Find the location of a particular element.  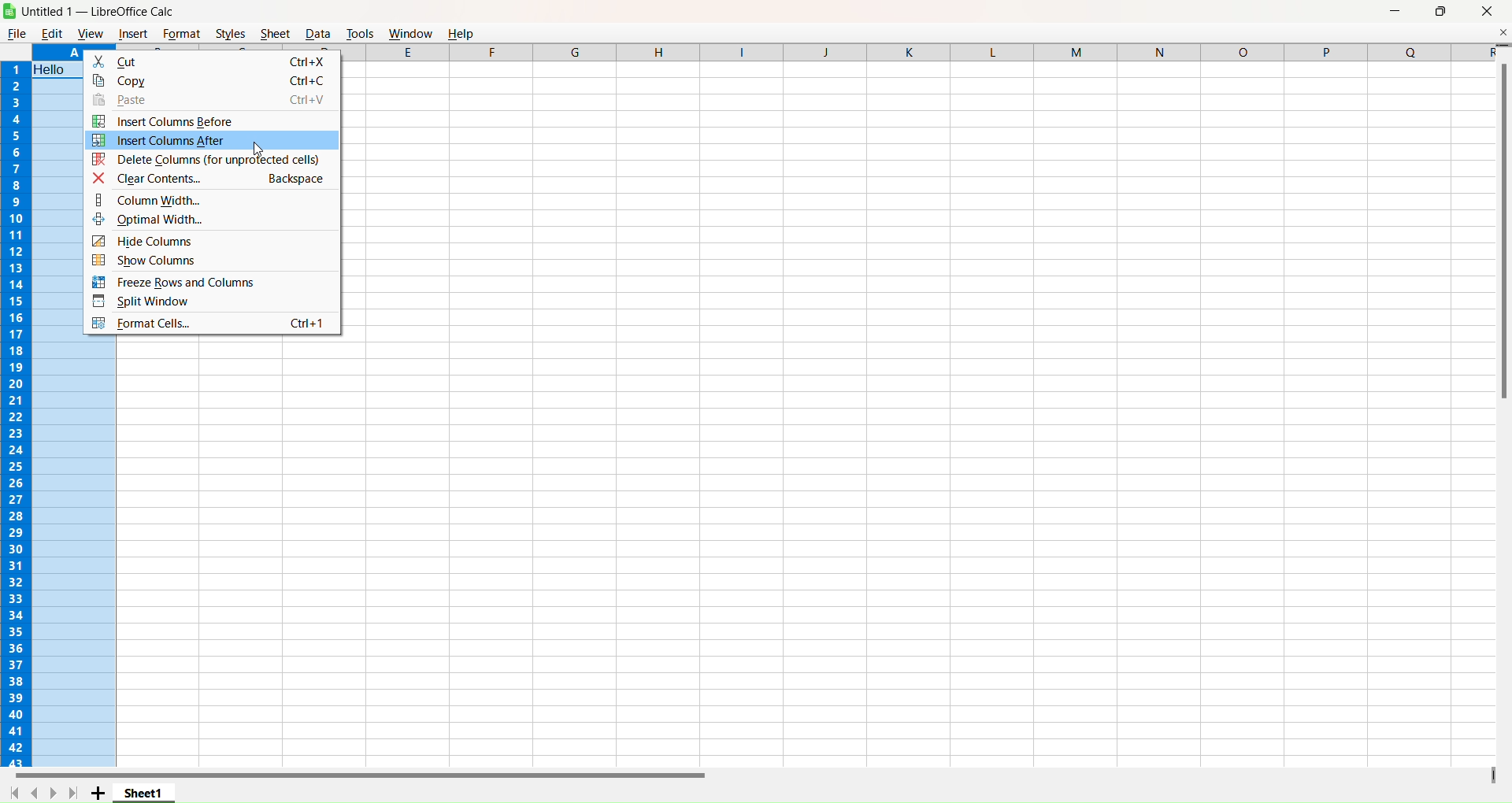

untitled 1 - LibreOffice Calc is located at coordinates (105, 11).